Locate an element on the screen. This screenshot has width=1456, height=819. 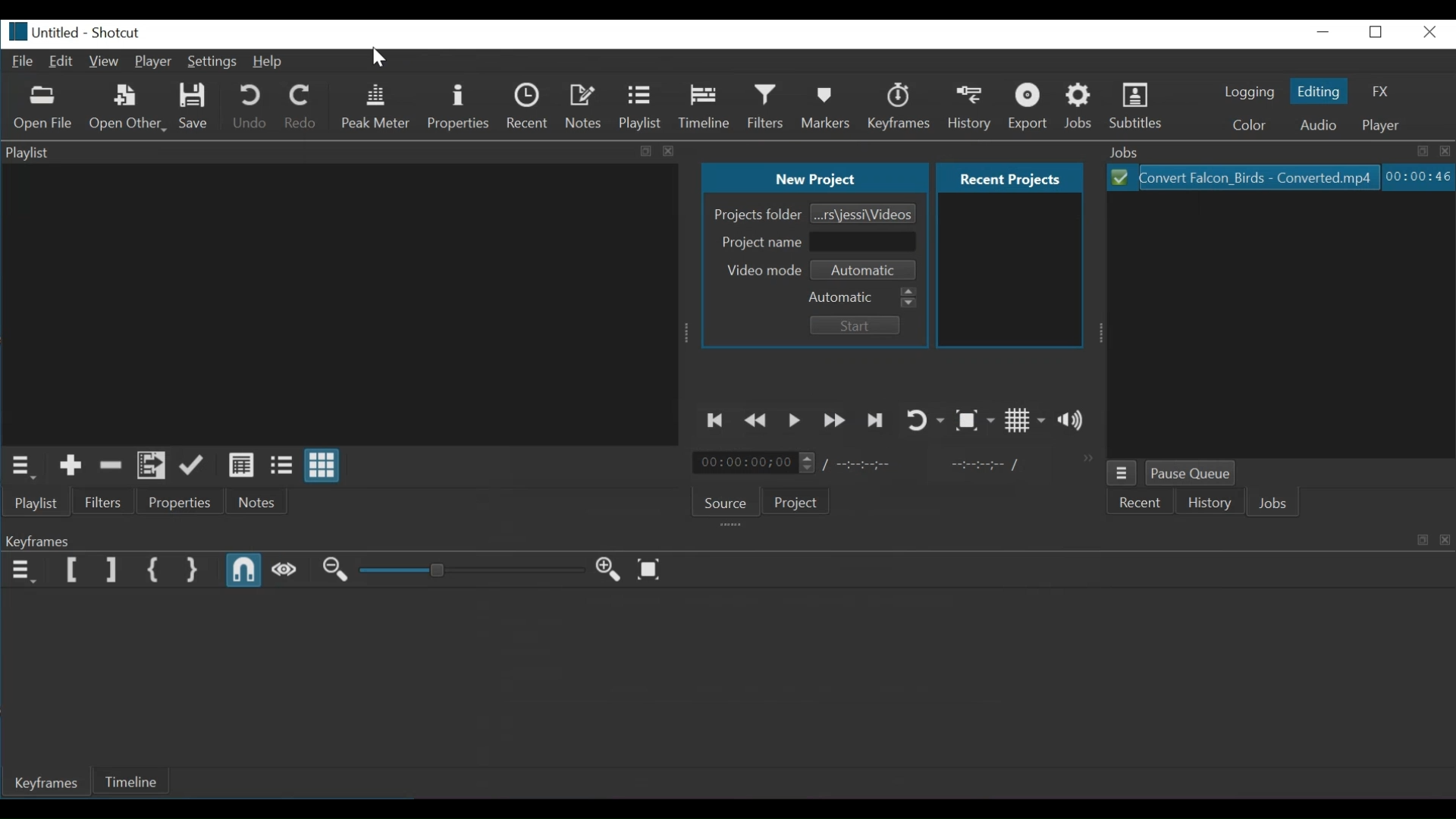
Toggle Zoom is located at coordinates (977, 420).